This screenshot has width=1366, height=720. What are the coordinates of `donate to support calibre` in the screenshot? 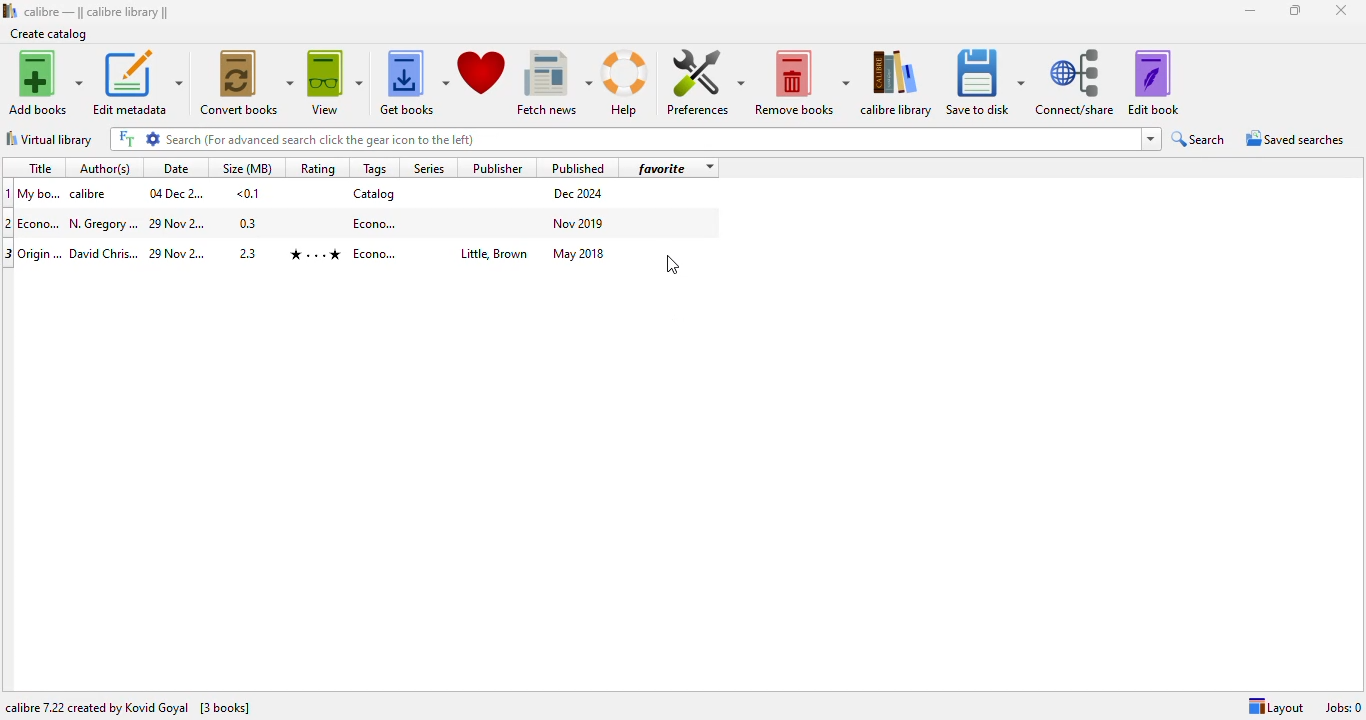 It's located at (482, 73).